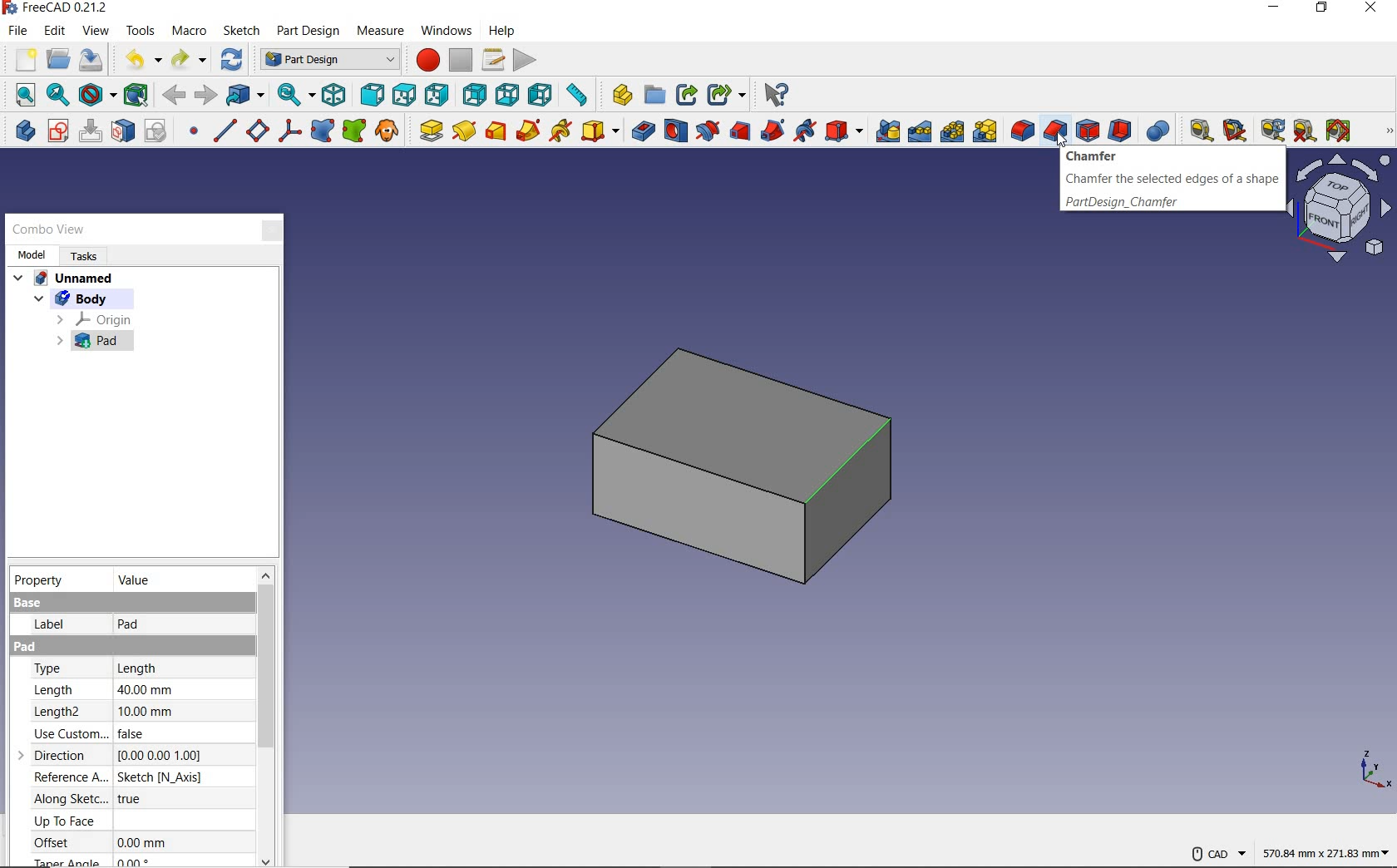 The width and height of the screenshot is (1397, 868). Describe the element at coordinates (165, 756) in the screenshot. I see `[0.00 0.00 1.00]` at that location.